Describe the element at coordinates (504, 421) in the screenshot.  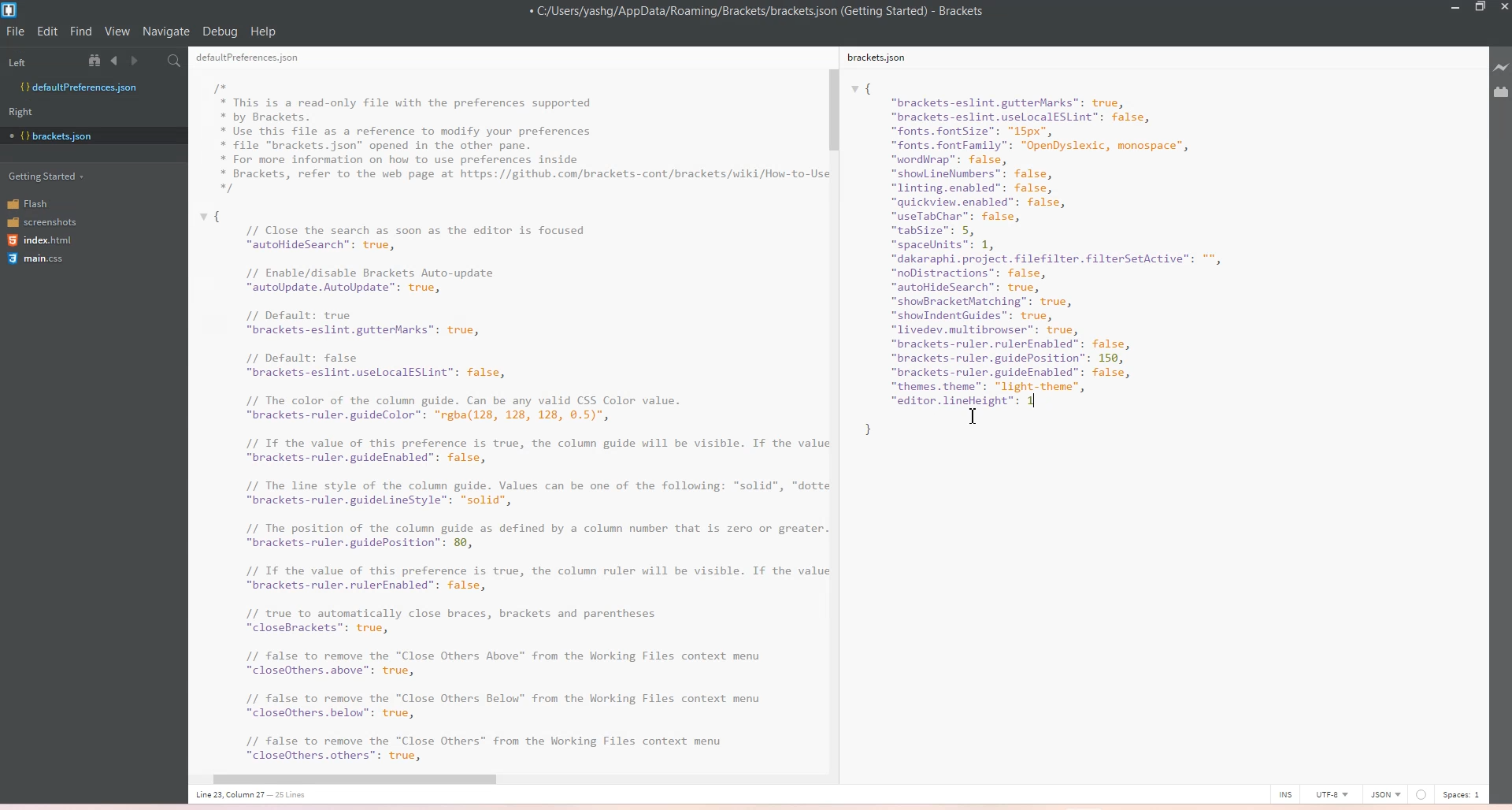
I see `defaultPreferences.json

I”

* This is a read-only file with the preferences supported

* by Brackets.

* Use this file as a reference to modify your preferences

* file "brackets.json" opened in the other pane.

* For more information on how to use preferences inside

* Brackets, refer to the web page at https://github.com/brackets-cont/brackets/wiki/How-to-Us

*

vi

// Close the search as soon as the editor is focused
“autoHideSearch”: true,
// Enable/disable Brackets Auto-update
“autoUpdate. AutoUpdate”: true,
// Default: true
“brackets-eslint.gutterMarks”: true,
// Default: false
“brackets-eslint.uselocalESLint": false,
// The color of the column guide. Can be any valid CSS Color value.
“brackets-ruler.guideColor”: "rgba(128, 128, 128, 0.5)",
// Tf the value of this preference is true, the column guide will be visible. Tf the val.
“brackets-ruler.guideEnabled”: false,
// The line style of the column guide. Values can be one of the following: "solid", "dott
“brackets-ruler.guidelineStyle": "solid",
// The position of the column guide as defined by a column number that is zero or greater
“brackets-ruler.guidePosition”: 80,
// Tf the value of this preference is true, the column ruler will be visible. Tf the val.
“brackets-ruler.rulerEnabled”: false,
// true to automatically close braces, brackets and parentheses
“closeBrackets”: true,
// false to remove the "Close Others Above” from the Working Files context menu
“closeOthers.above”: true,
// false to remove the "Close Others Below” from the Working Files context menu
“closeOthers.below": true,
// false to remove the "Close Others” from the Working Files context menu
“closeOthers.others”: true,` at that location.